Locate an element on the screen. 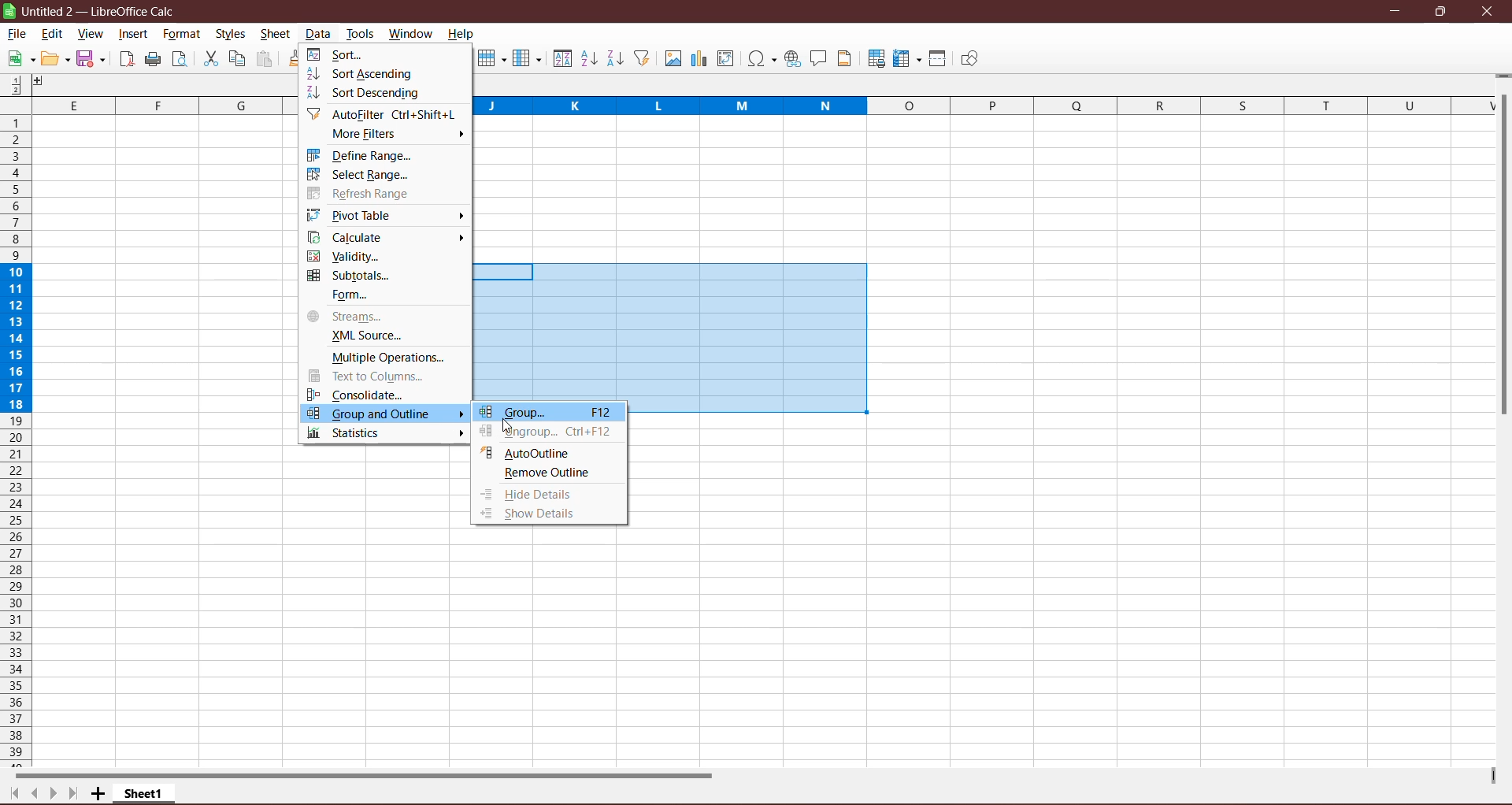 The height and width of the screenshot is (805, 1512). Close is located at coordinates (1488, 12).